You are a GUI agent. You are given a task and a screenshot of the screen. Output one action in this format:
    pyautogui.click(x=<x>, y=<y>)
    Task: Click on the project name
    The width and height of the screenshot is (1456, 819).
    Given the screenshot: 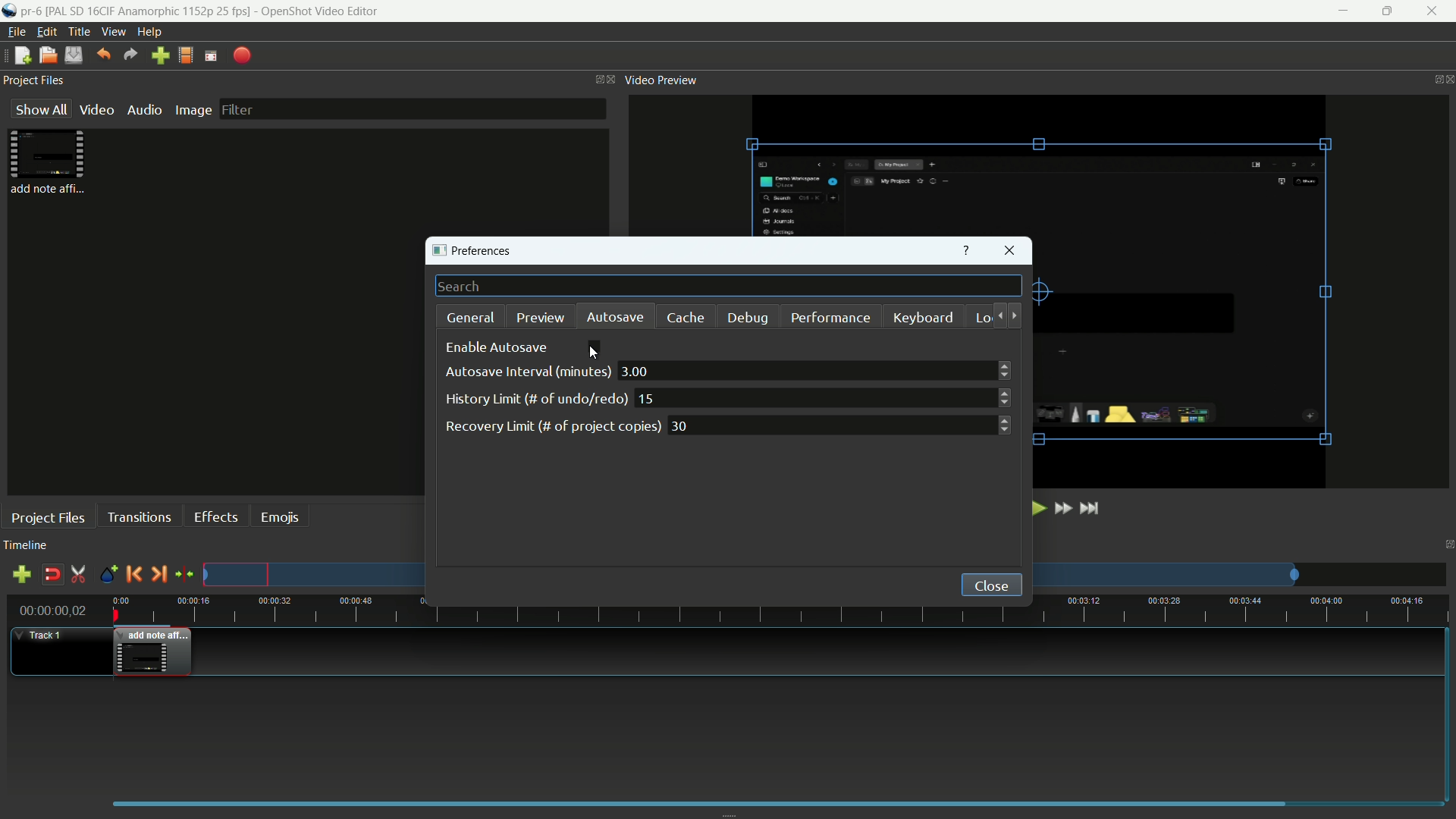 What is the action you would take?
    pyautogui.click(x=31, y=11)
    